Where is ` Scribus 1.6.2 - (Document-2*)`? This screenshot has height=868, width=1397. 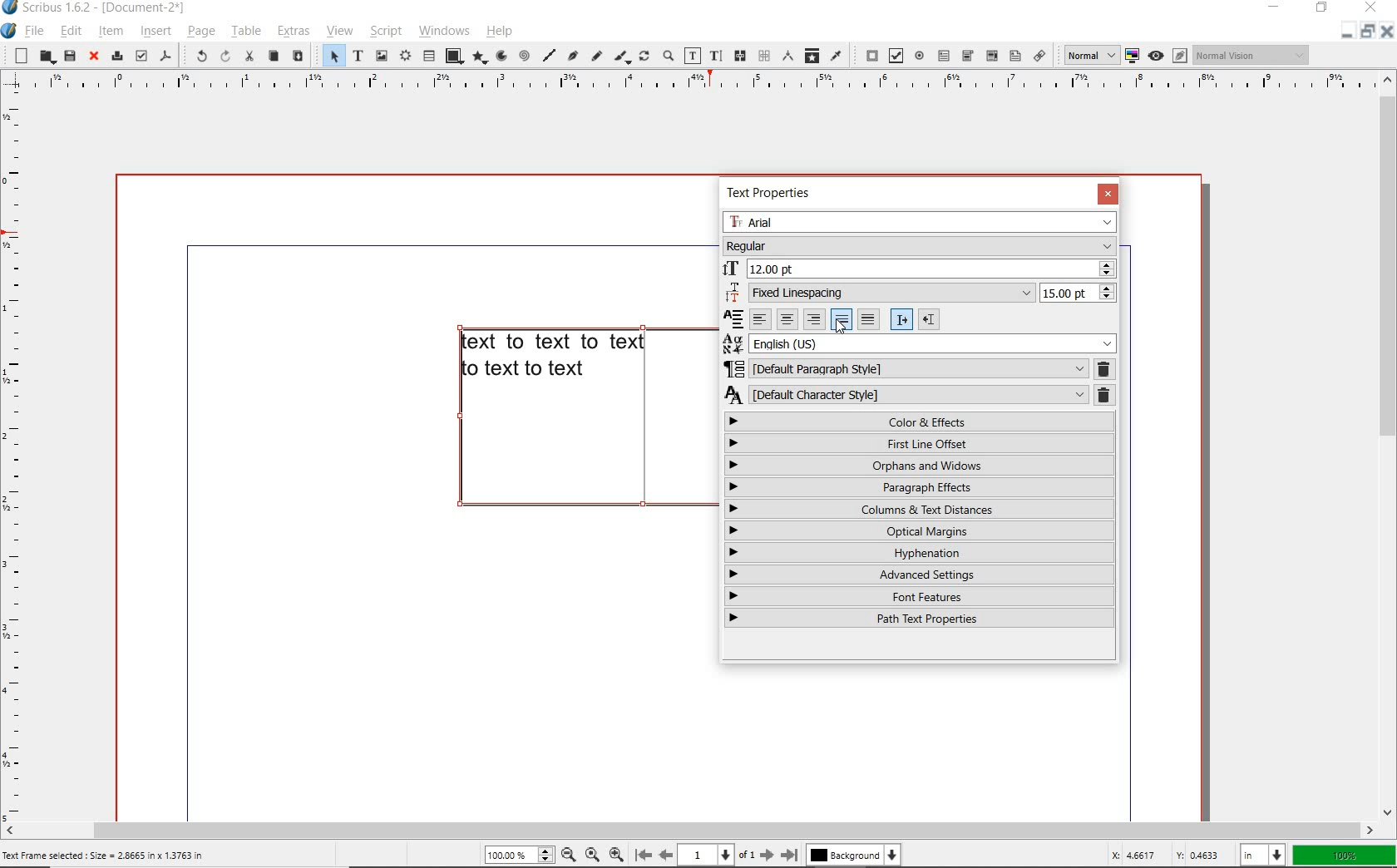  Scribus 1.6.2 - (Document-2*) is located at coordinates (105, 8).